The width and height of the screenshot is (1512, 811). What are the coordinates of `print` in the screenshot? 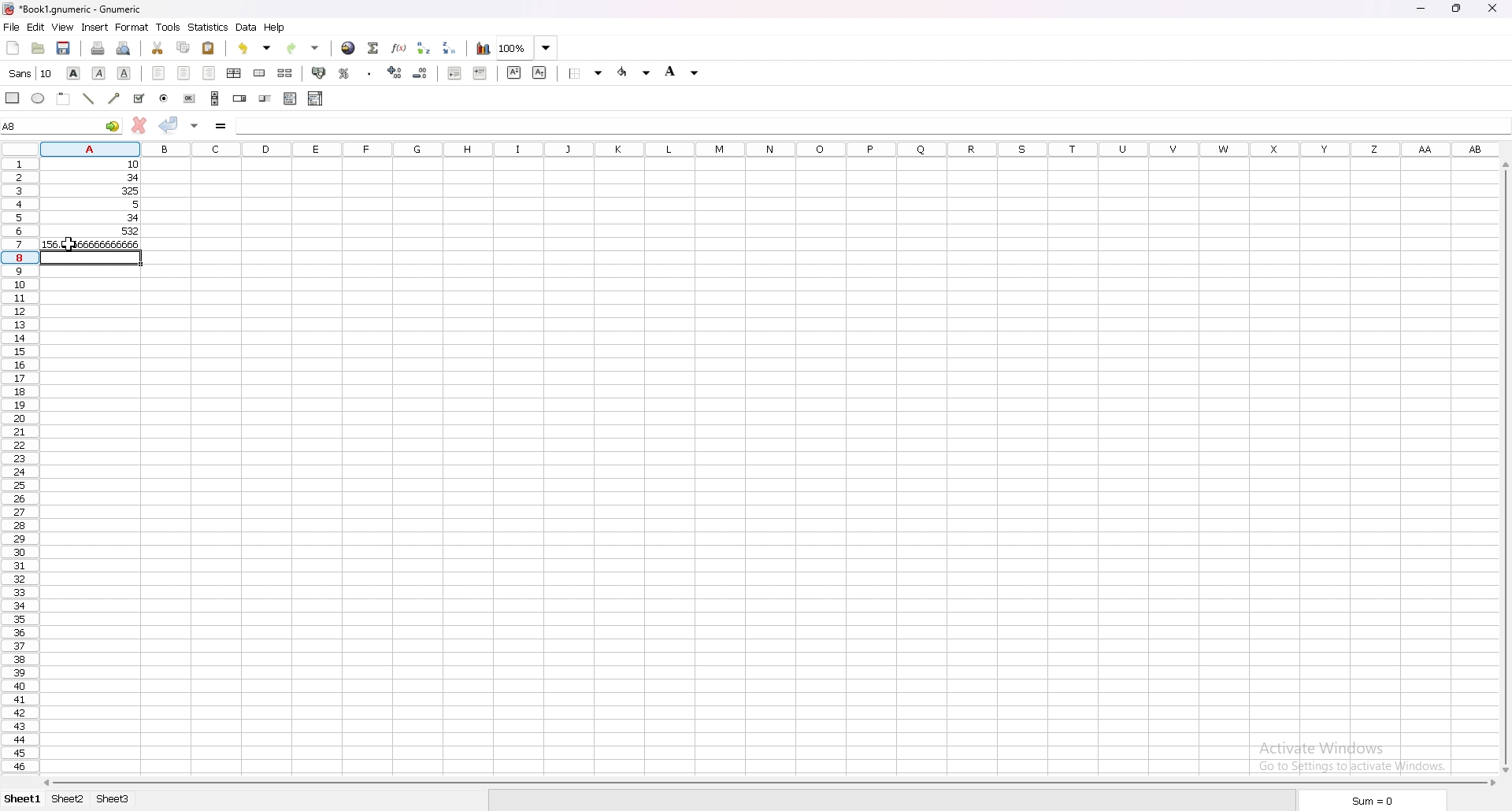 It's located at (98, 47).